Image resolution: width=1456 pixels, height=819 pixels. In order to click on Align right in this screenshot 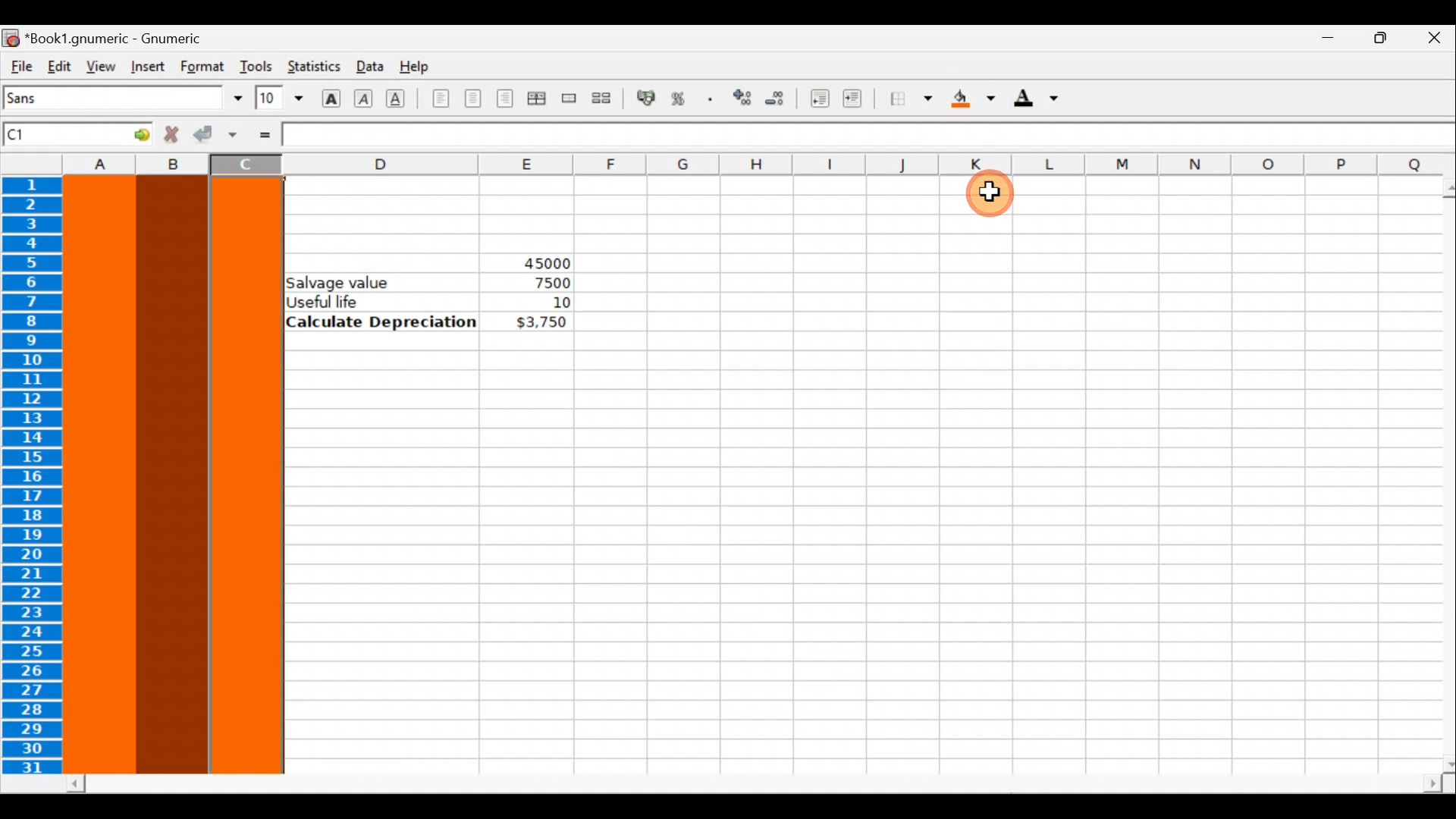, I will do `click(504, 99)`.